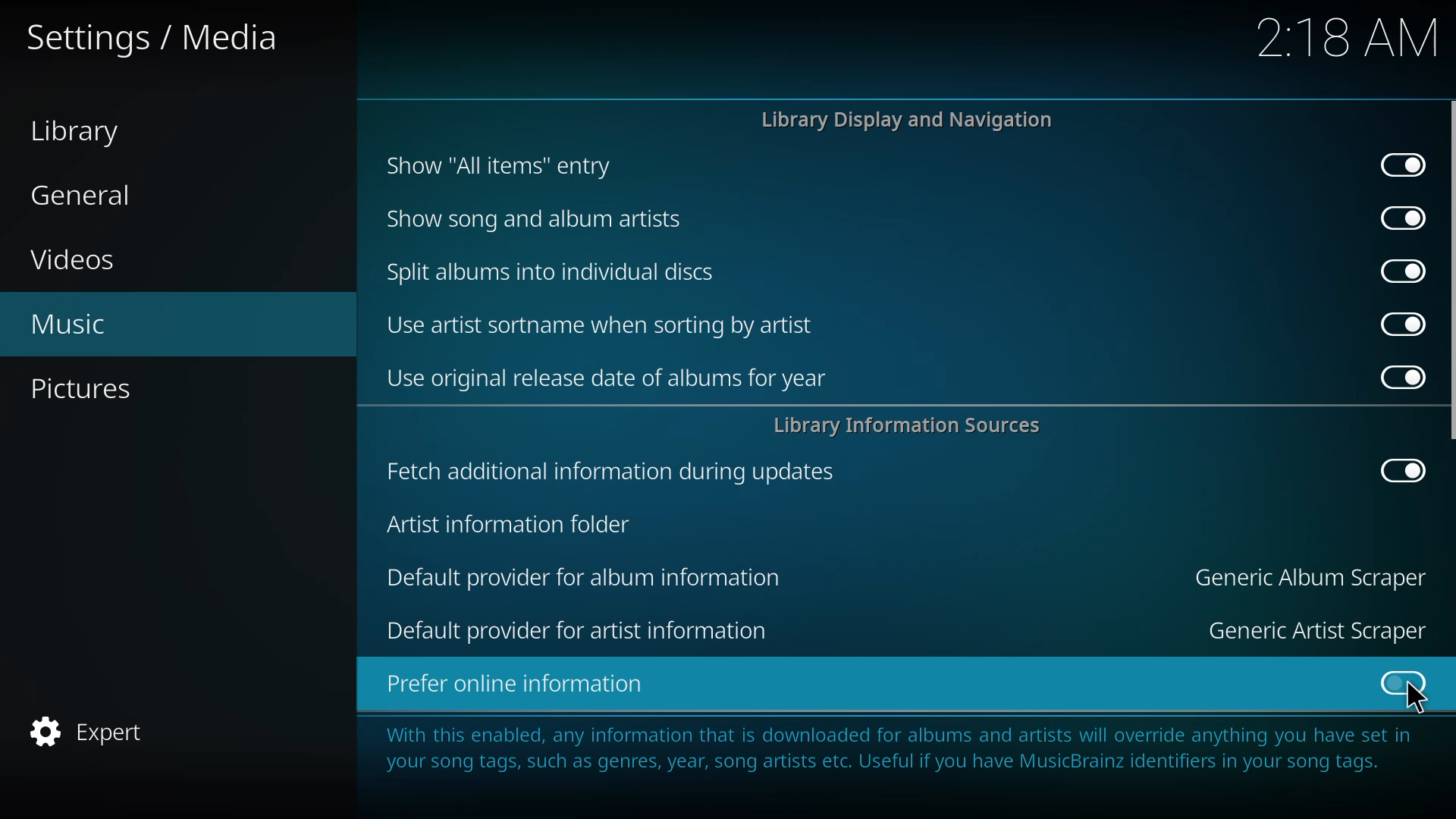  I want to click on cursor, so click(1417, 700).